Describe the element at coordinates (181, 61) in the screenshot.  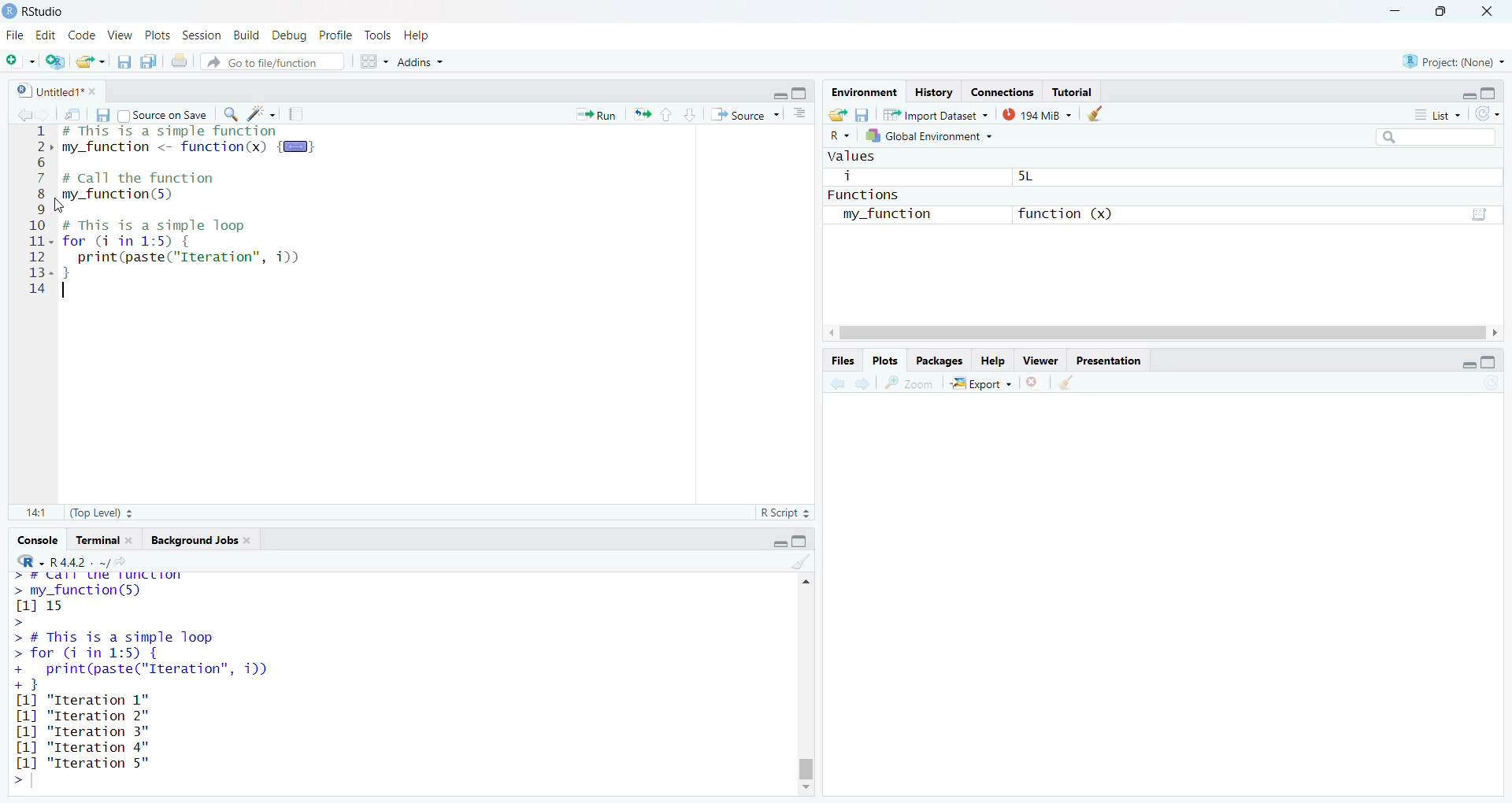
I see `print the current file` at that location.